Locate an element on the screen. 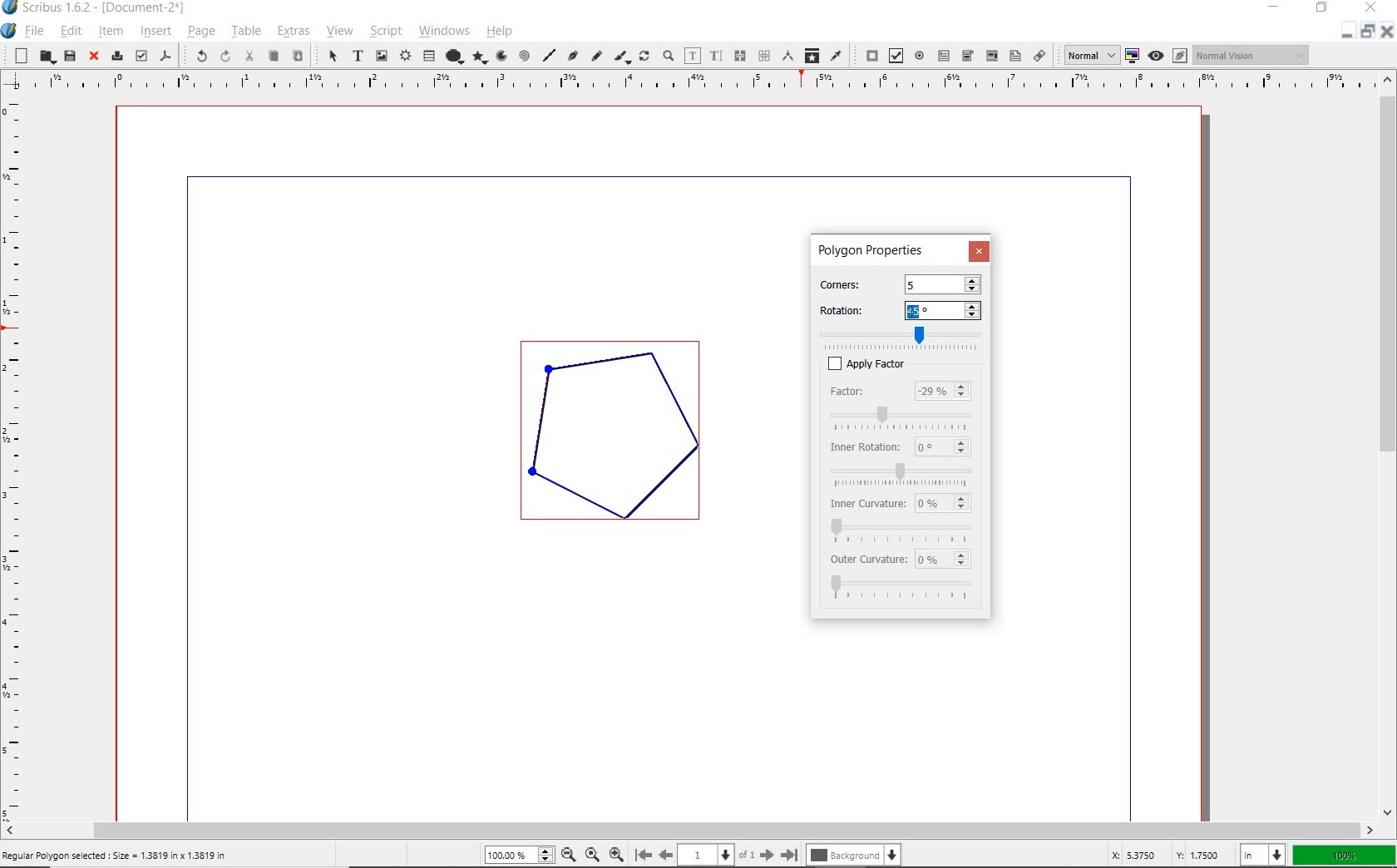 The height and width of the screenshot is (868, 1397). help is located at coordinates (502, 33).